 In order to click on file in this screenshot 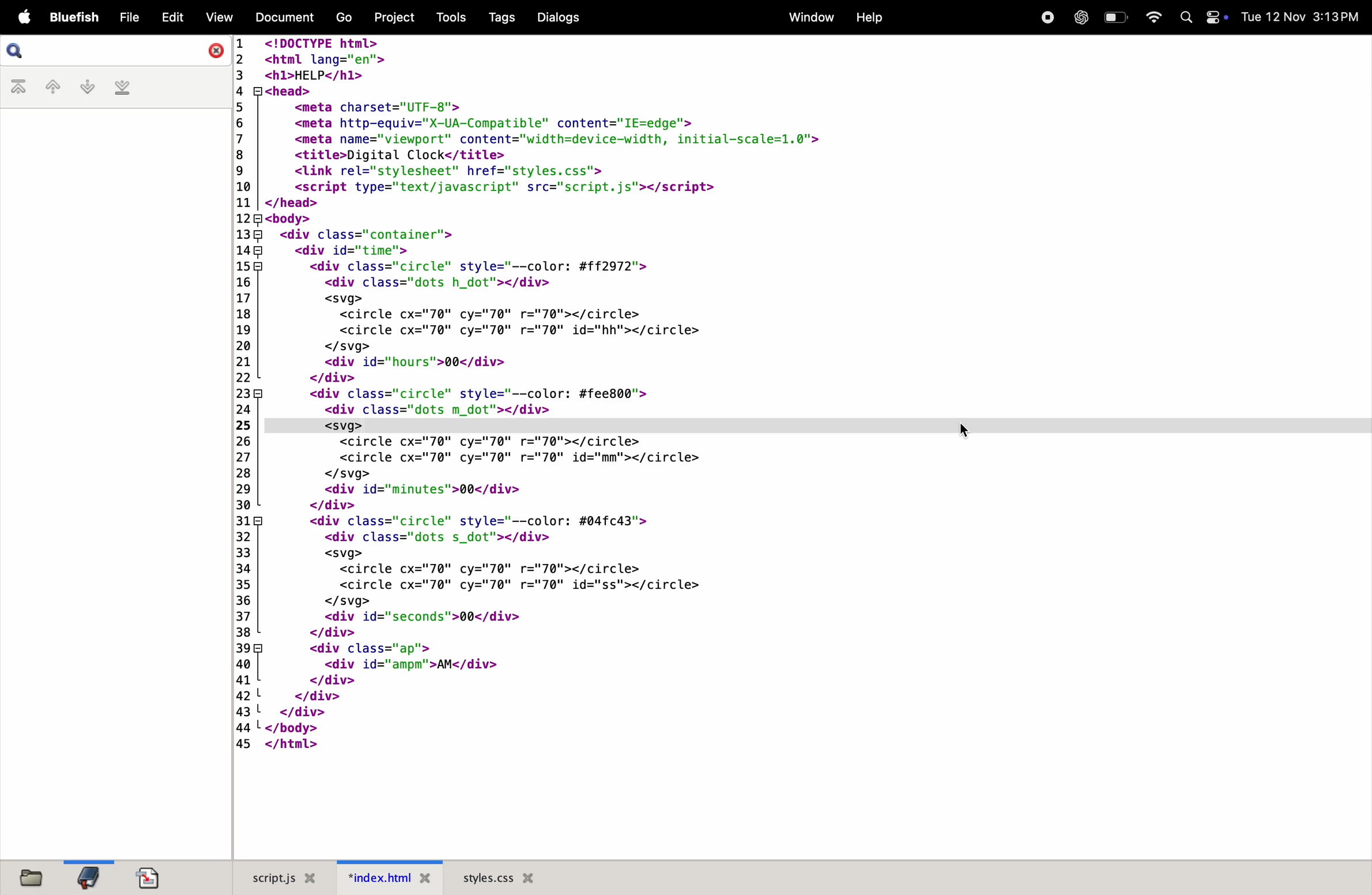, I will do `click(129, 18)`.